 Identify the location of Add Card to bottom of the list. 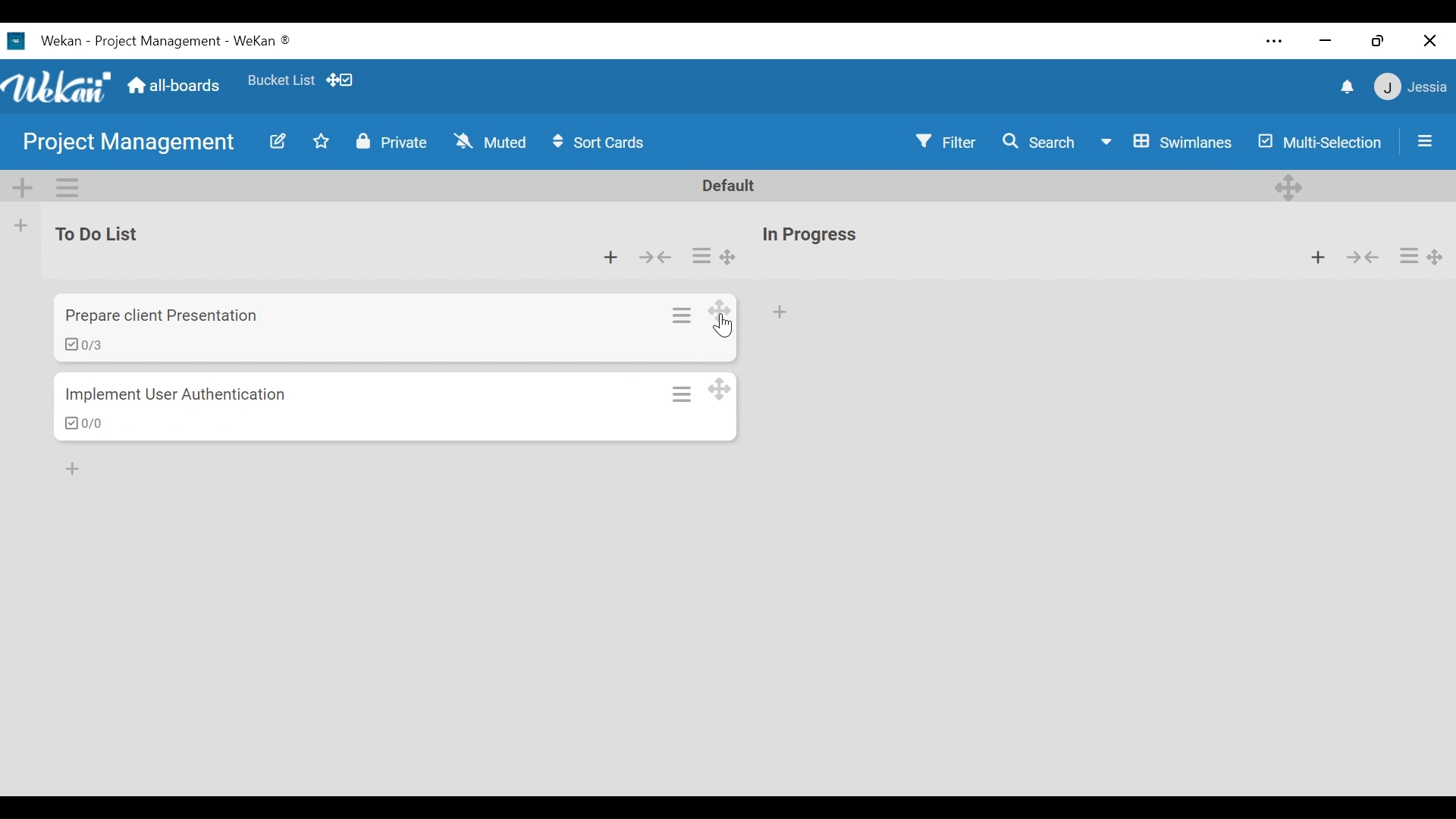
(74, 470).